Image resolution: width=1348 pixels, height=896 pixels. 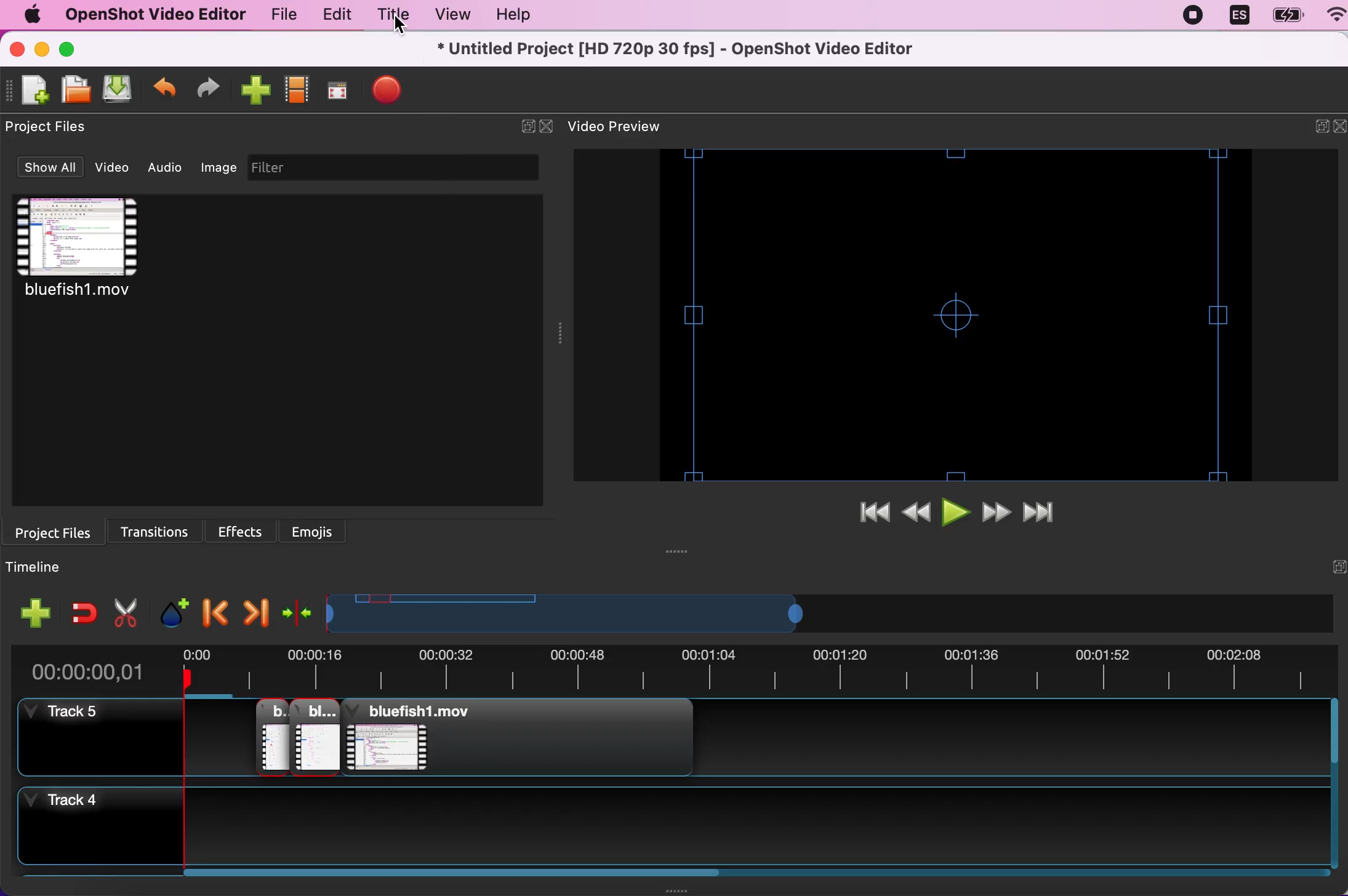 What do you see at coordinates (334, 15) in the screenshot?
I see `edit` at bounding box center [334, 15].